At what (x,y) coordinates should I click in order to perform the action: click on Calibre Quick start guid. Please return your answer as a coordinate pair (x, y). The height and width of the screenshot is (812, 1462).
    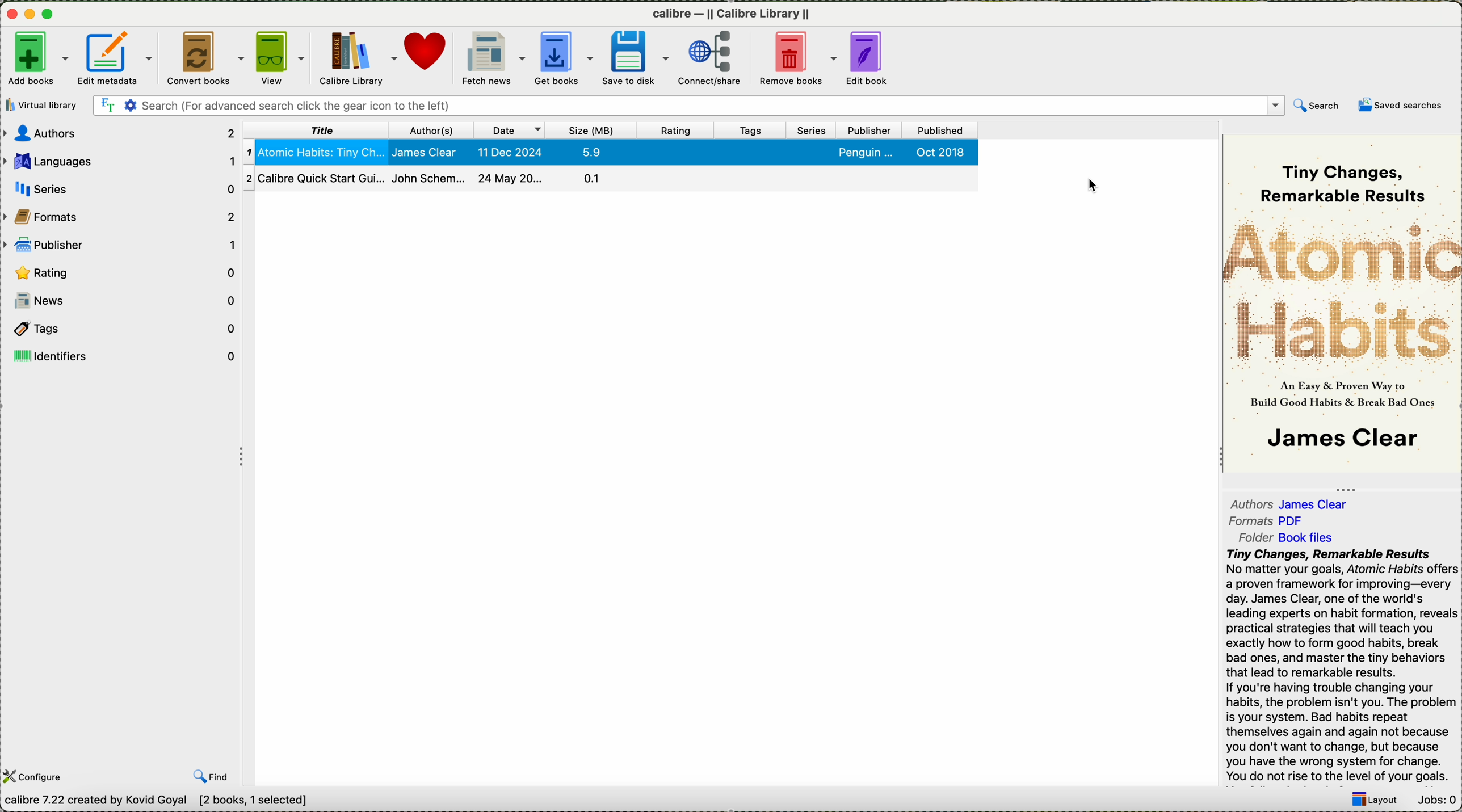
    Looking at the image, I should click on (430, 179).